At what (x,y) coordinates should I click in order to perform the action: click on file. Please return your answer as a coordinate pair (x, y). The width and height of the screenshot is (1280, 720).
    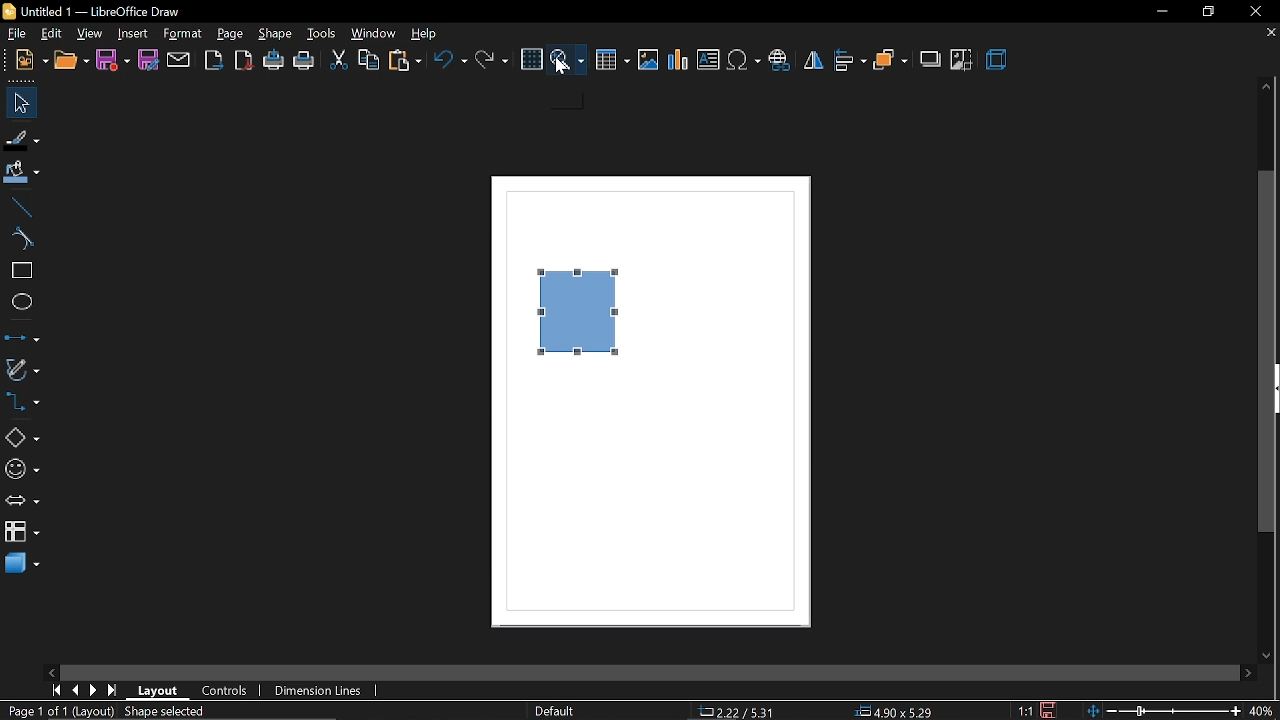
    Looking at the image, I should click on (14, 32).